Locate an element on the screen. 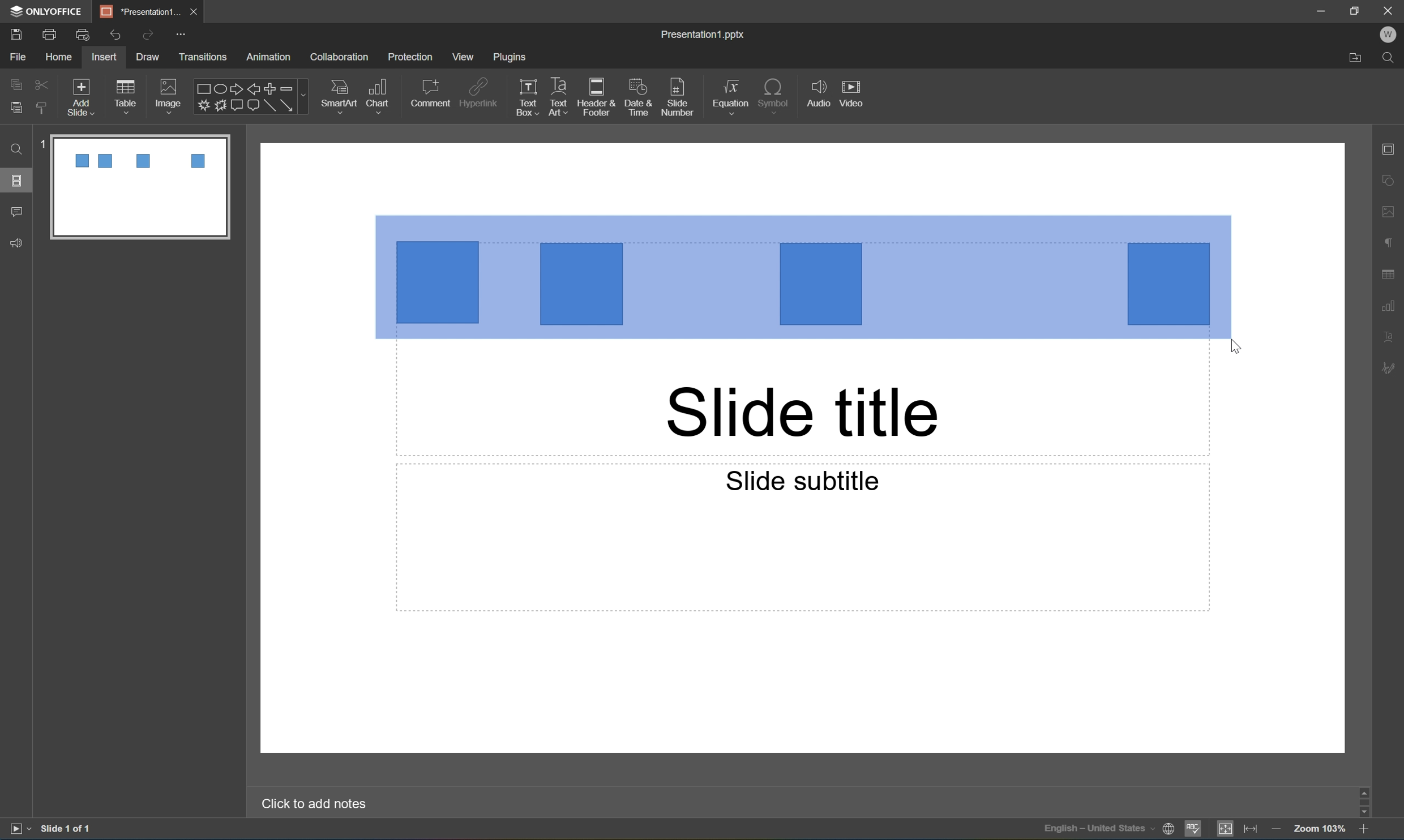 This screenshot has height=840, width=1404. slides is located at coordinates (19, 181).